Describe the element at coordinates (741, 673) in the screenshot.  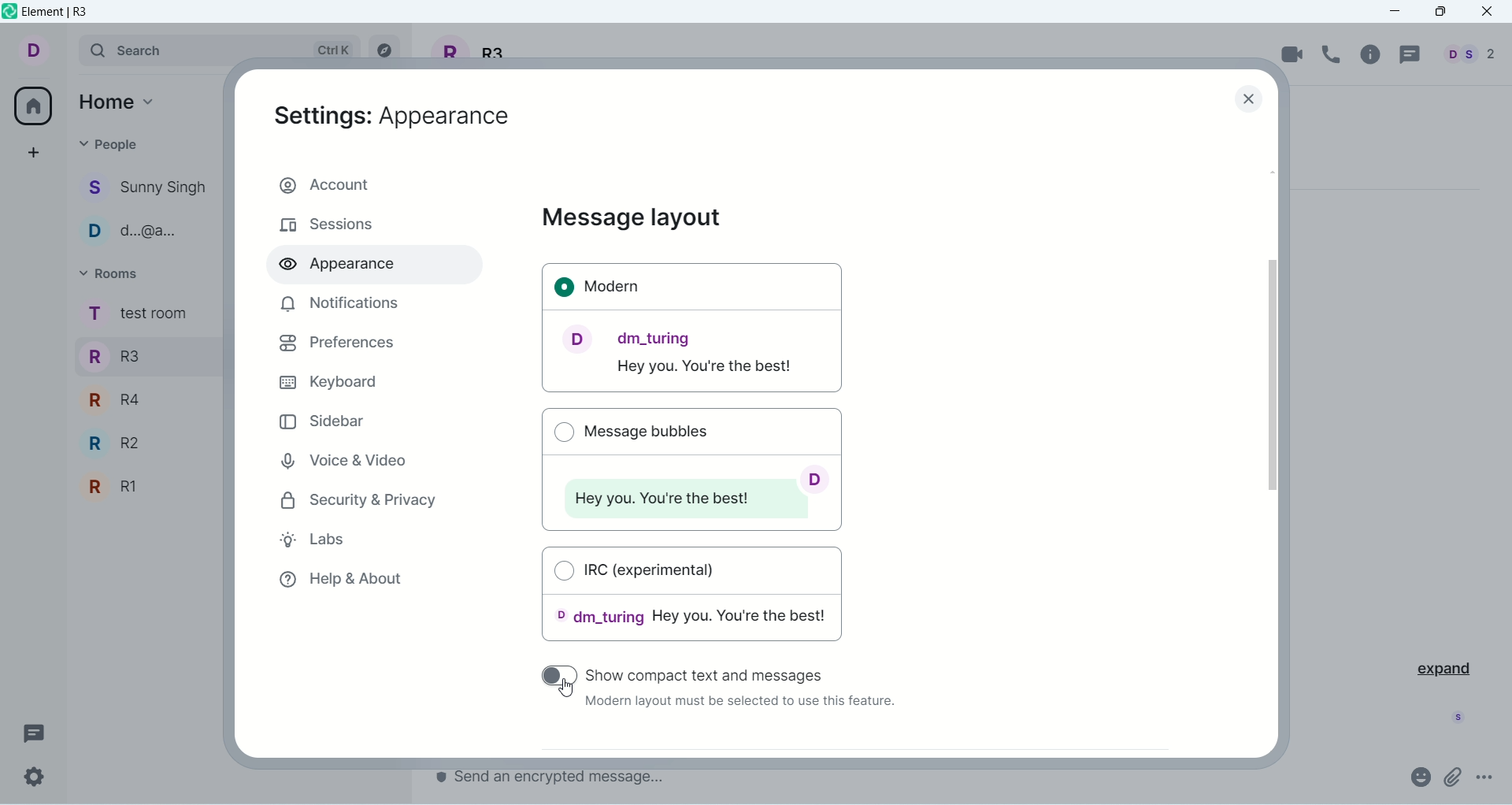
I see `show compact text and message` at that location.